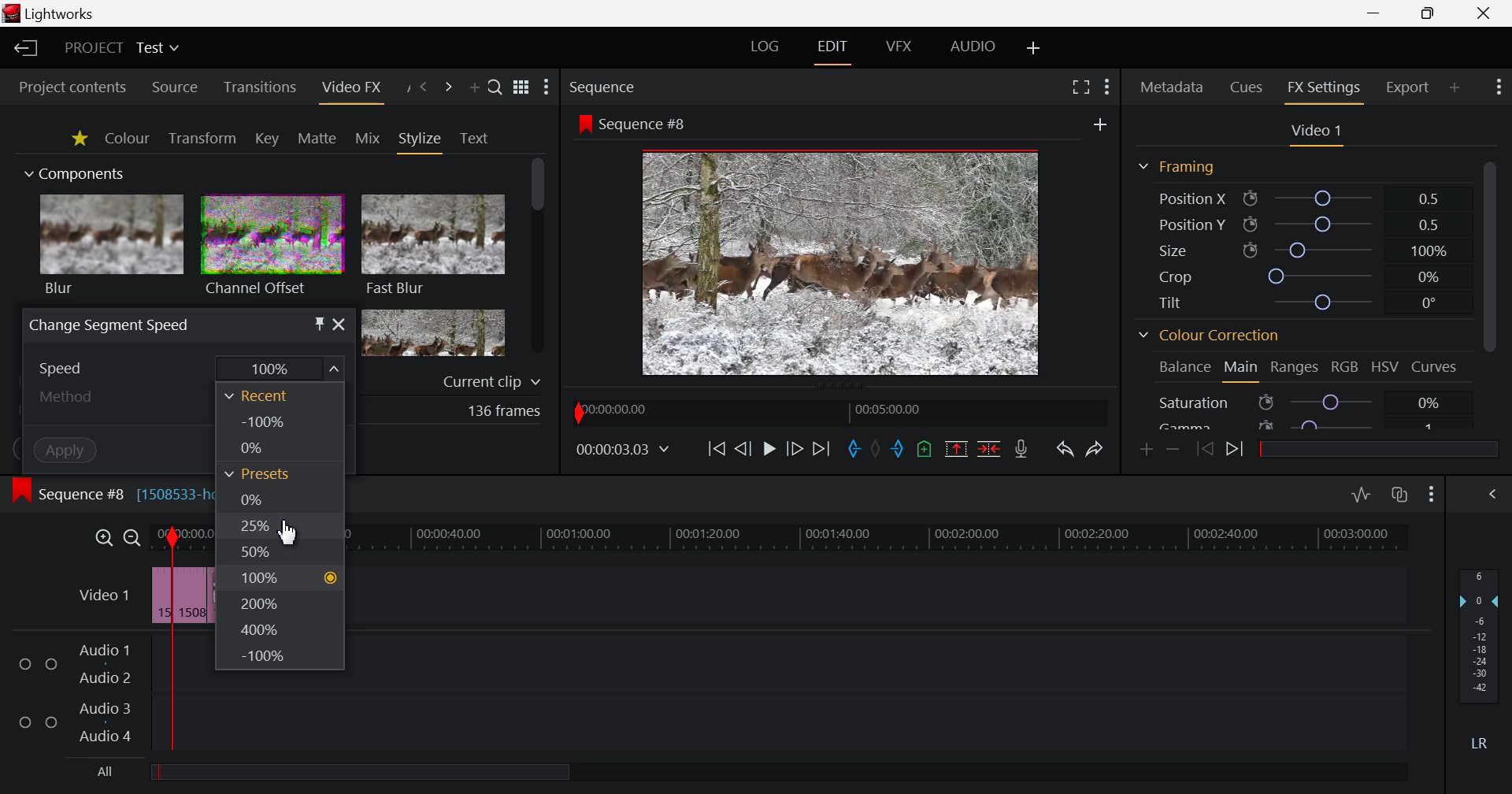  Describe the element at coordinates (434, 247) in the screenshot. I see `Fast Blur` at that location.